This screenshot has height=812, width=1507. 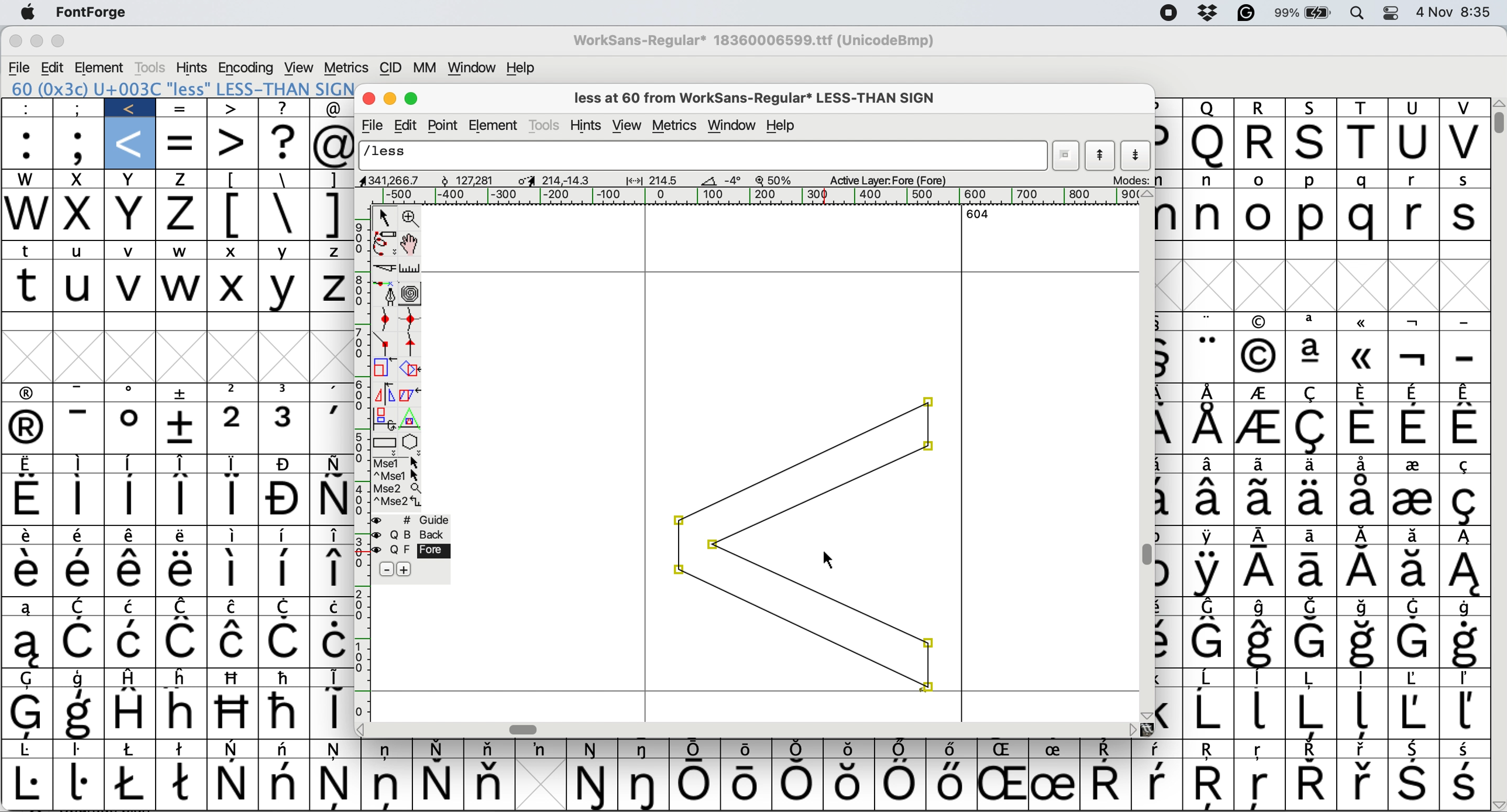 What do you see at coordinates (1169, 714) in the screenshot?
I see `Symbol` at bounding box center [1169, 714].